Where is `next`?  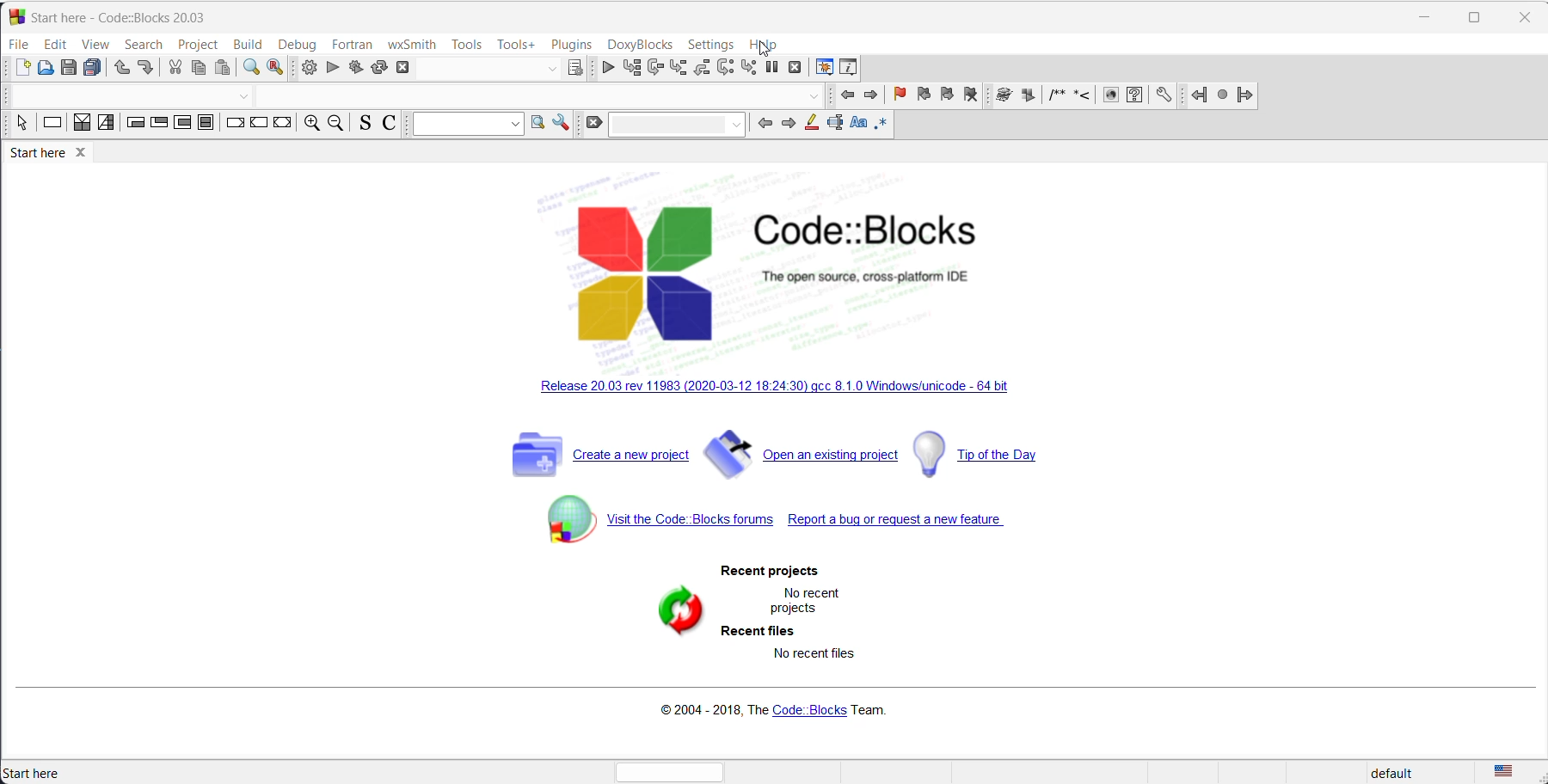
next is located at coordinates (786, 125).